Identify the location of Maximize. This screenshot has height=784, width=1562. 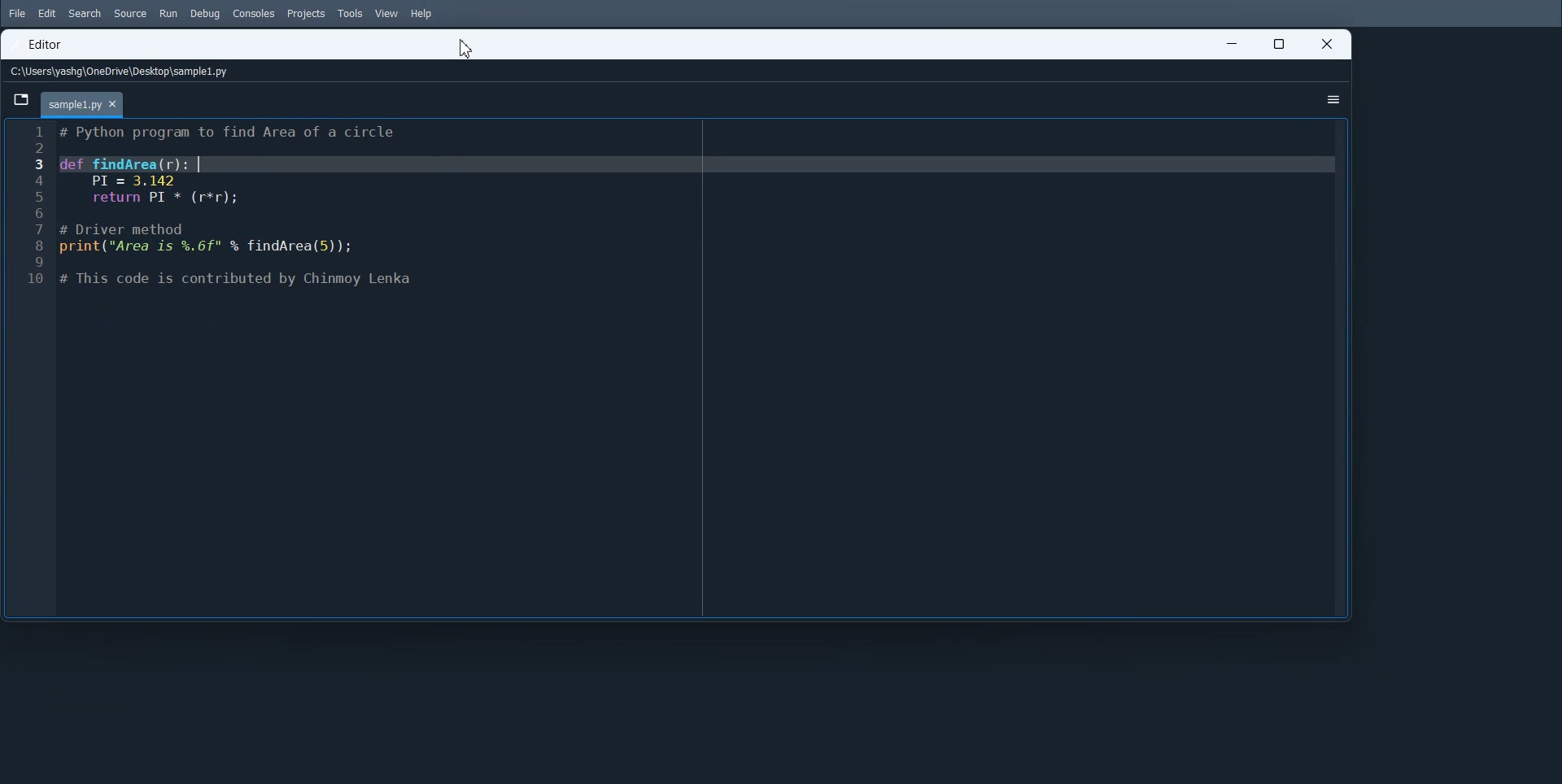
(1281, 46).